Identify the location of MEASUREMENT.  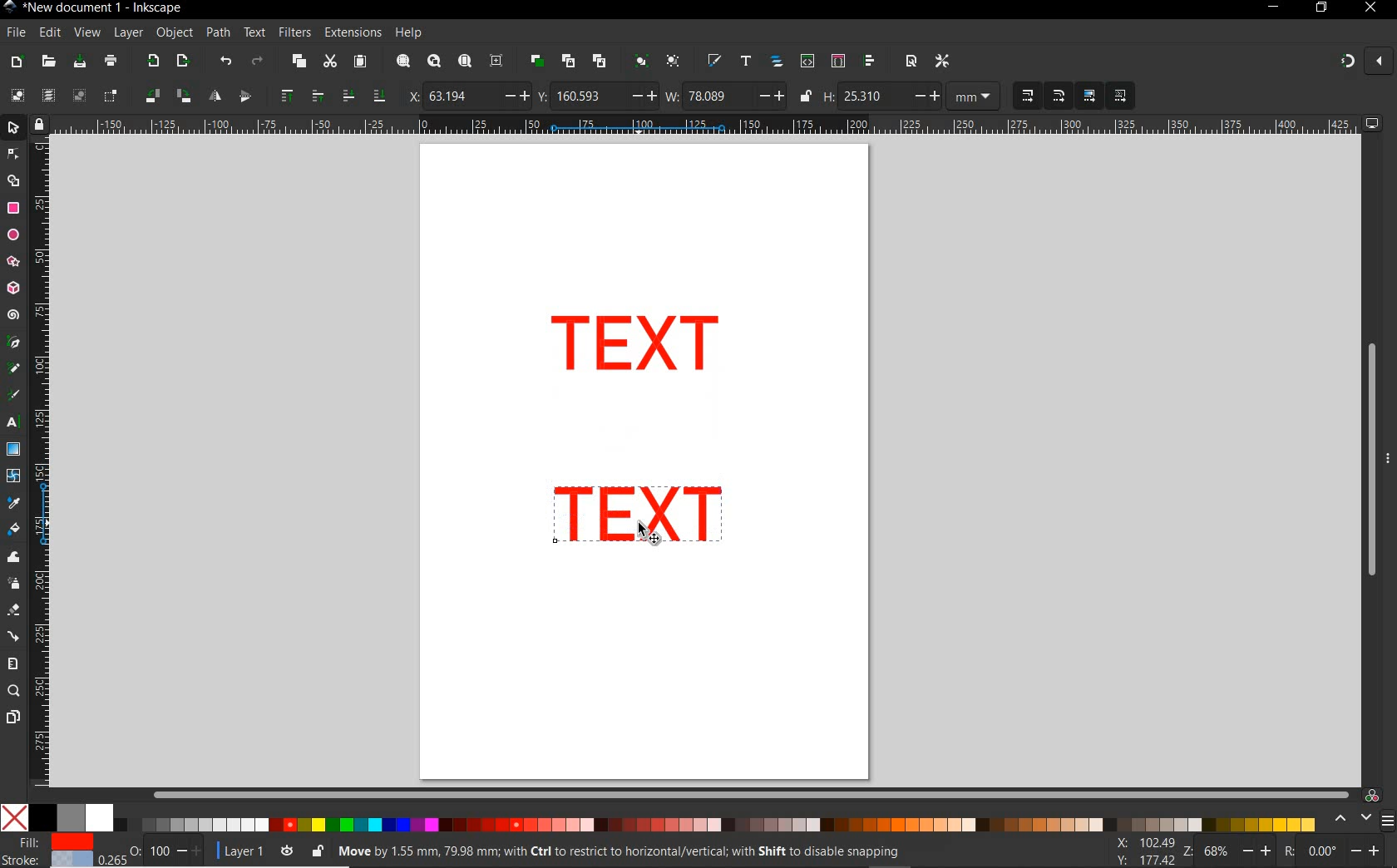
(976, 96).